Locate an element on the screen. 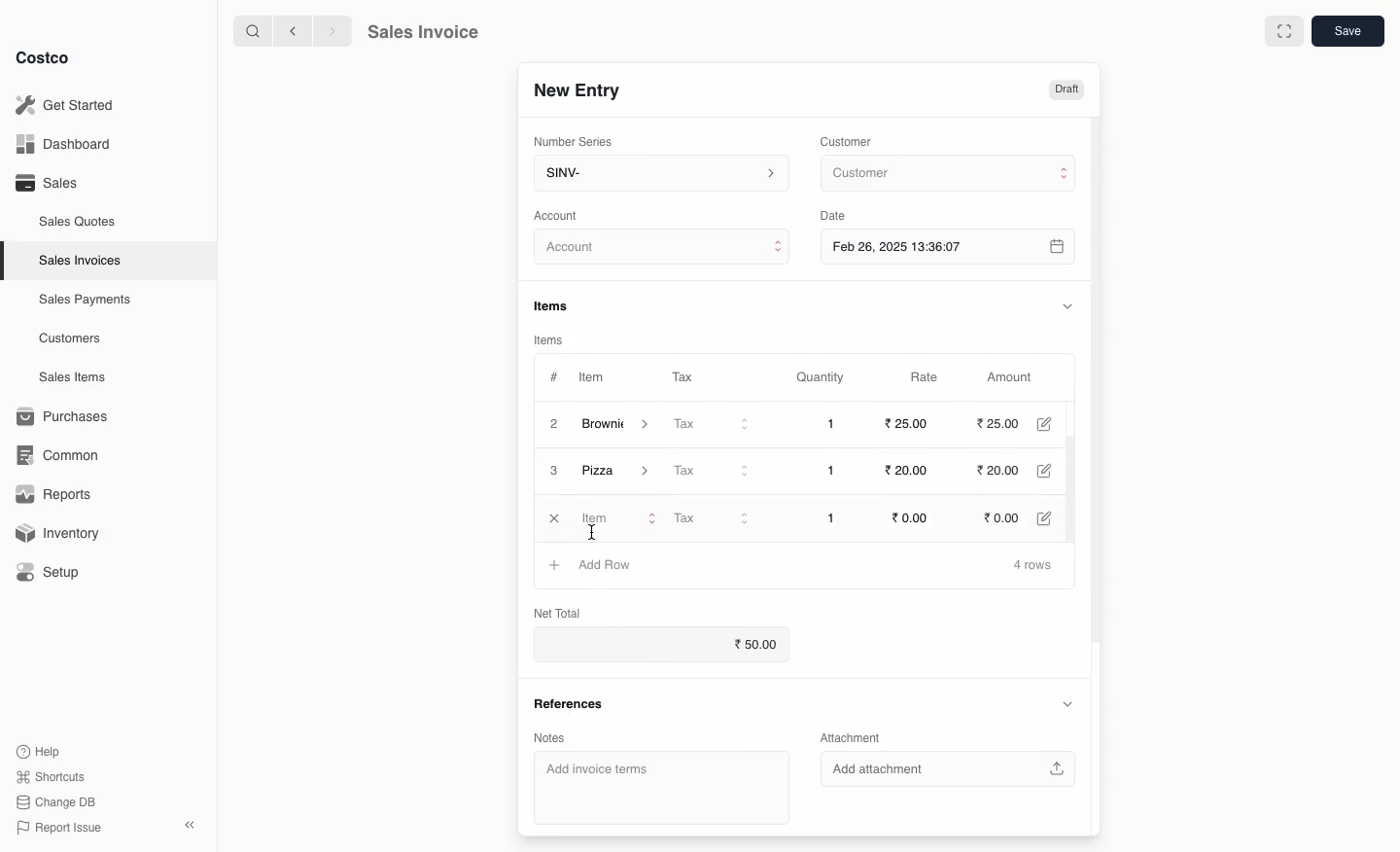  Tax is located at coordinates (682, 373).